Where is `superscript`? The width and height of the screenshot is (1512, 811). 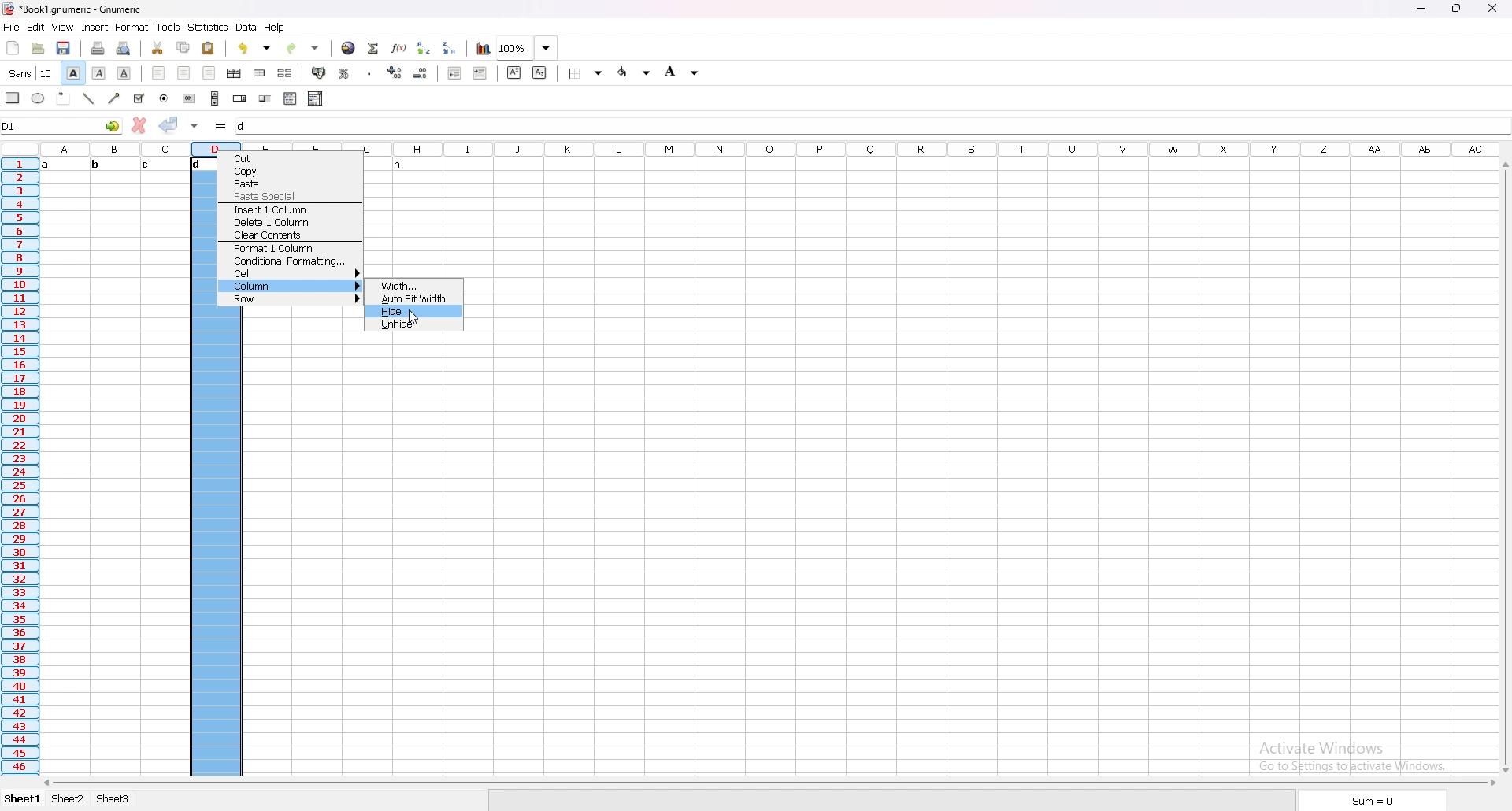 superscript is located at coordinates (514, 72).